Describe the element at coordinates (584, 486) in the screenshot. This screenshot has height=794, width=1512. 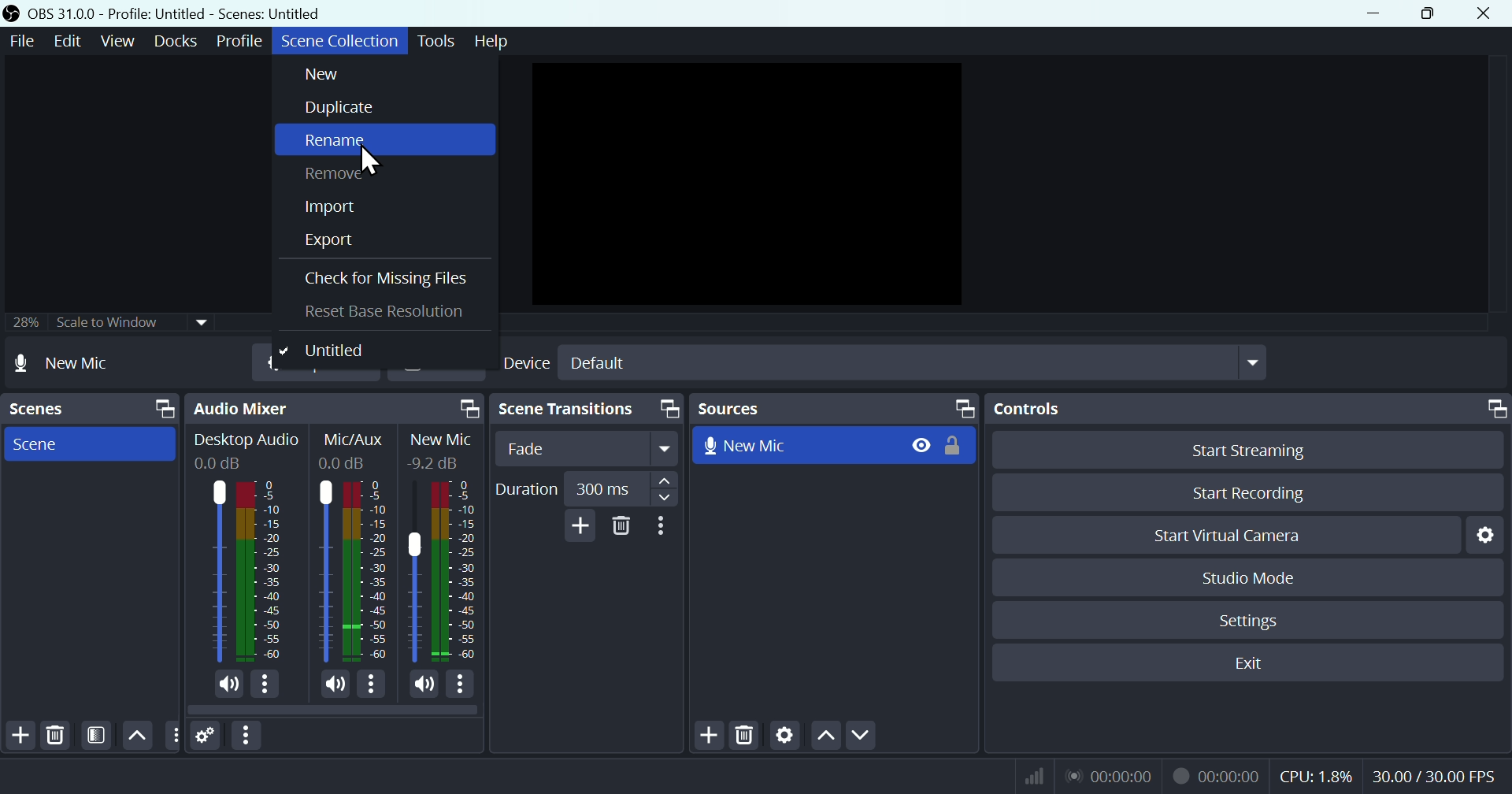
I see `Duration 300 millisecond ` at that location.